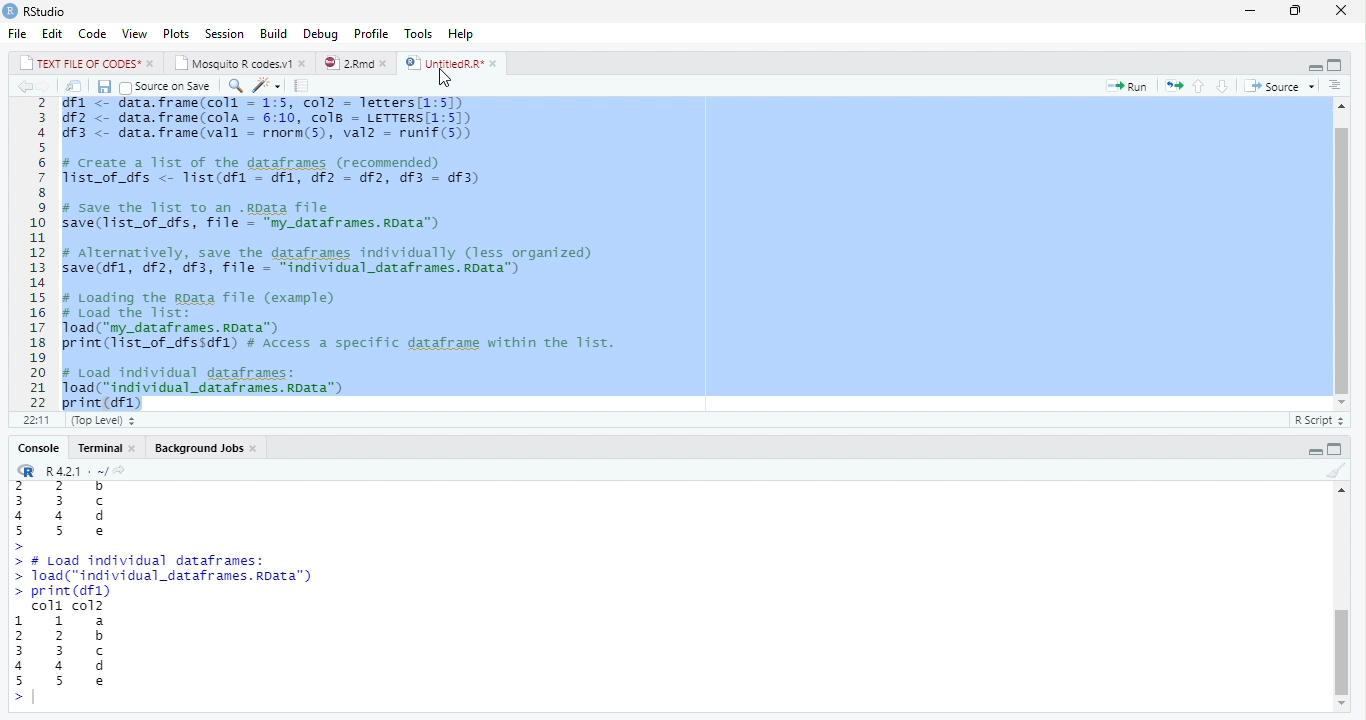 The image size is (1366, 720). What do you see at coordinates (1318, 419) in the screenshot?
I see `R Script` at bounding box center [1318, 419].